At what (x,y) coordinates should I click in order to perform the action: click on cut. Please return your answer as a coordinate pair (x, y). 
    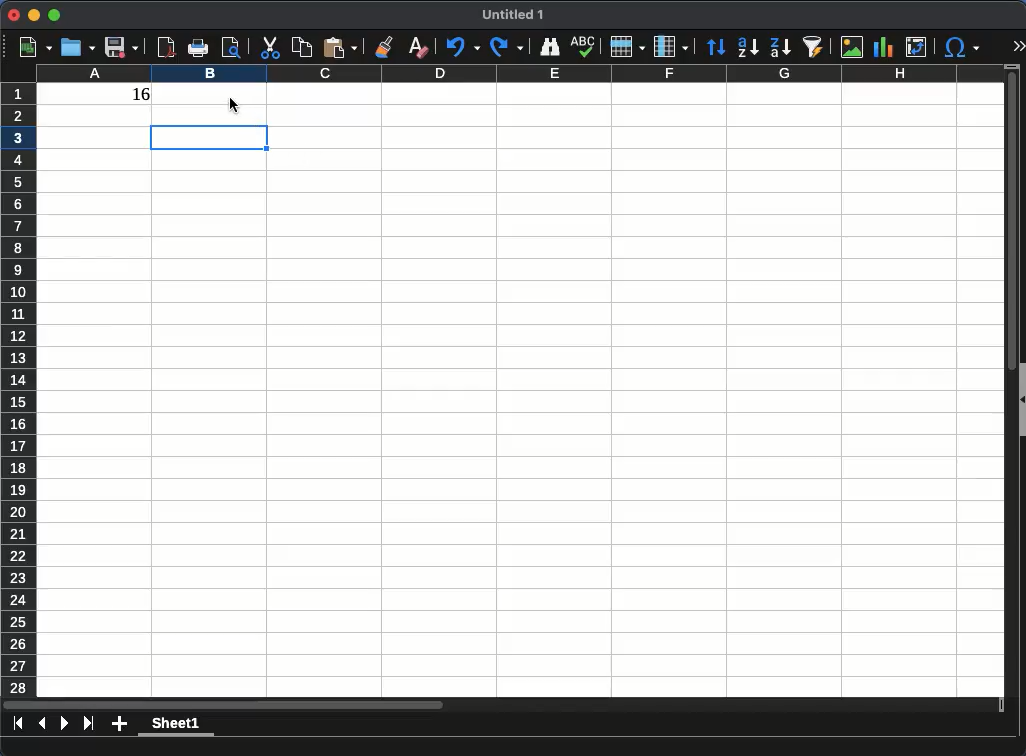
    Looking at the image, I should click on (269, 48).